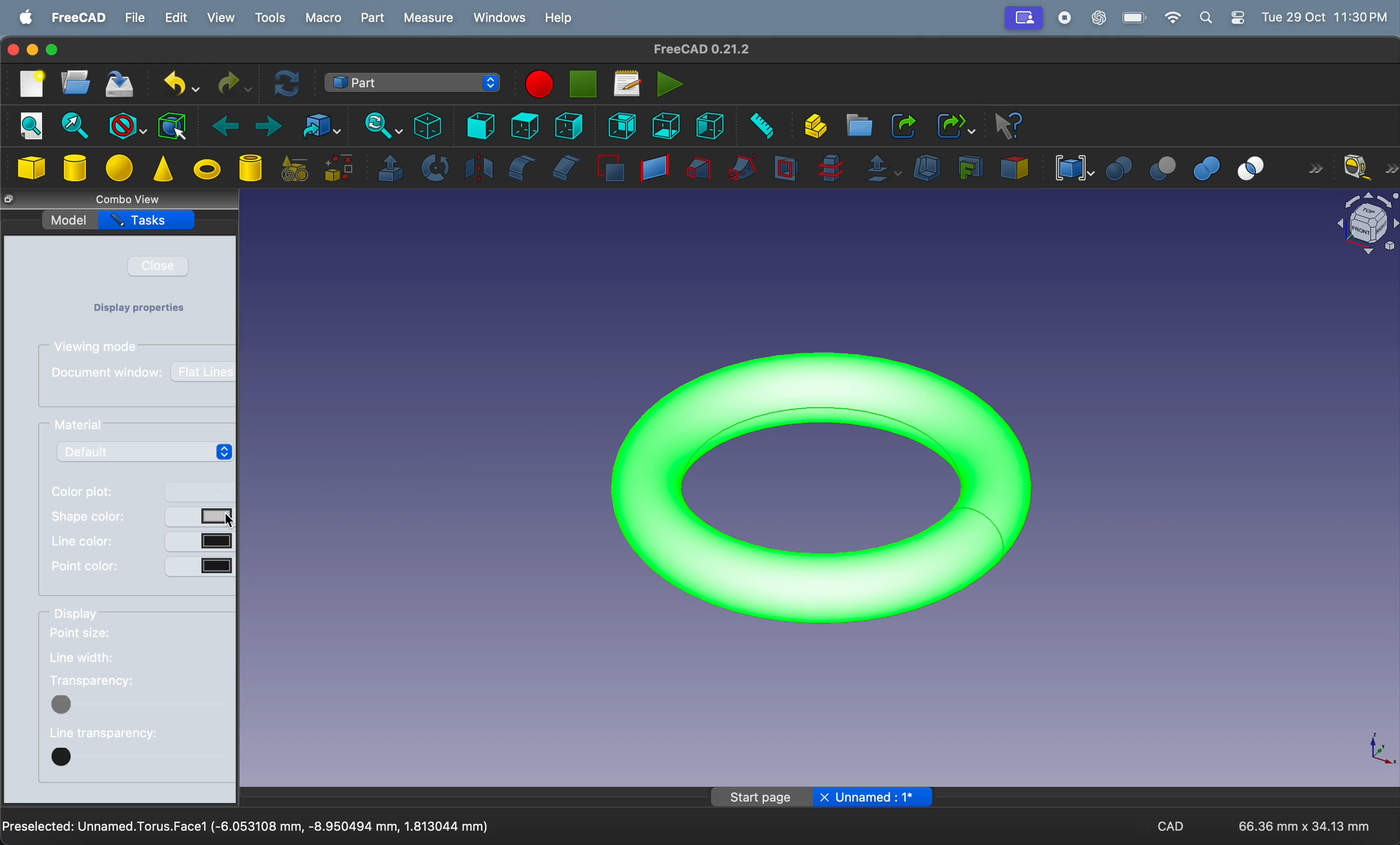 The height and width of the screenshot is (845, 1400). Describe the element at coordinates (1070, 167) in the screenshot. I see `compound tools` at that location.